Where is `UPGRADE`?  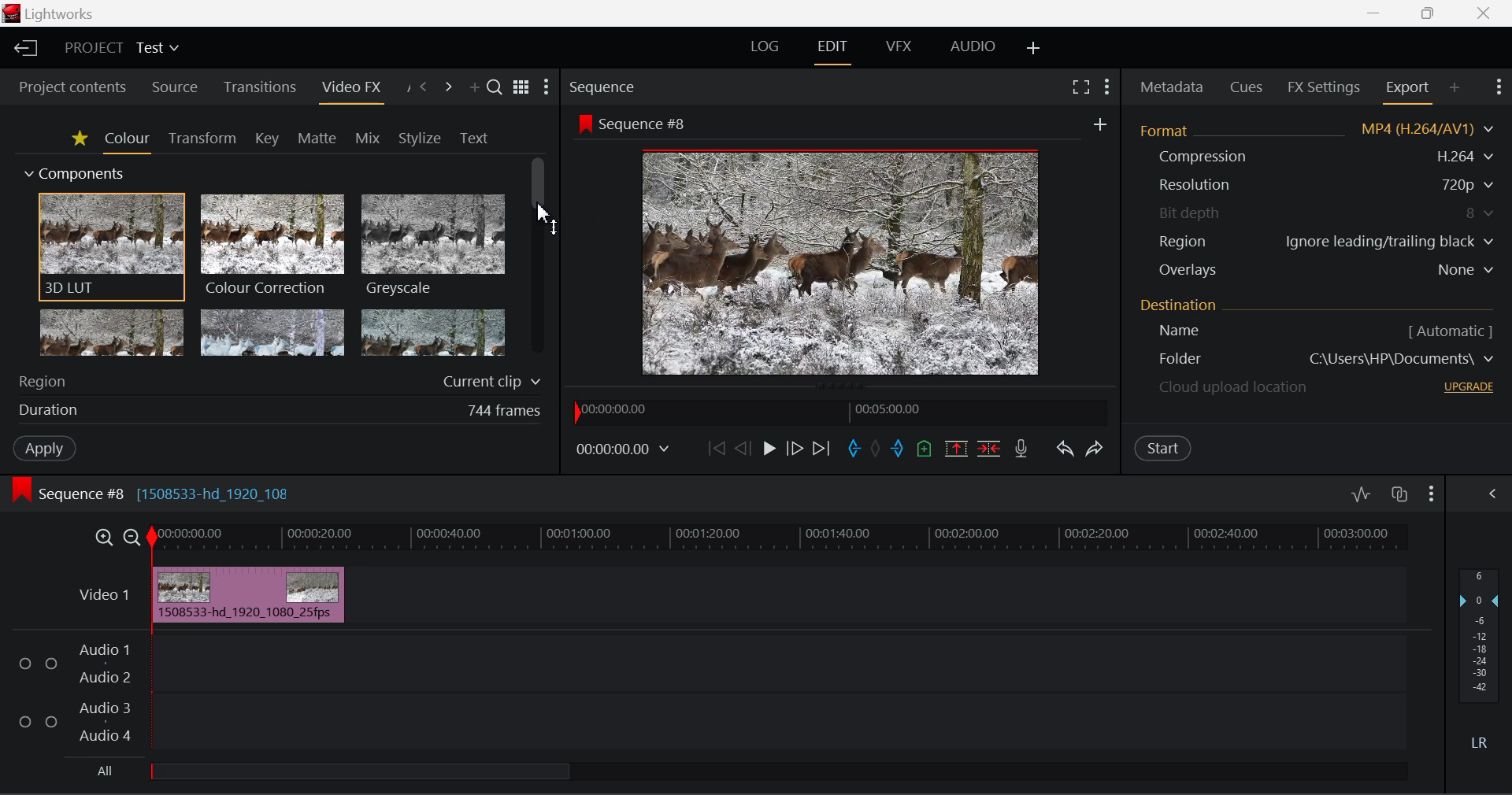
UPGRADE is located at coordinates (1469, 386).